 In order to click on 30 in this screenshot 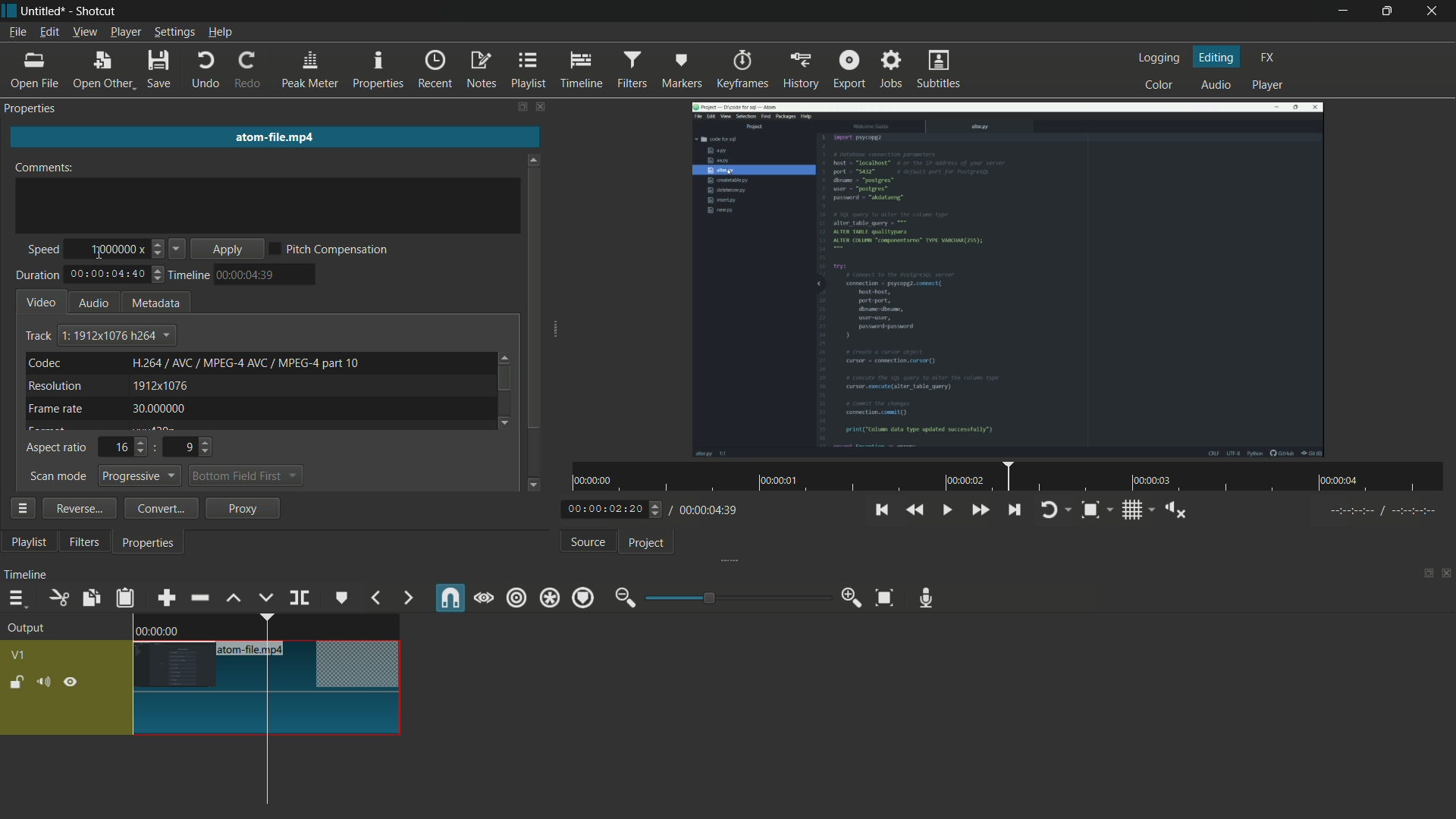, I will do `click(157, 408)`.